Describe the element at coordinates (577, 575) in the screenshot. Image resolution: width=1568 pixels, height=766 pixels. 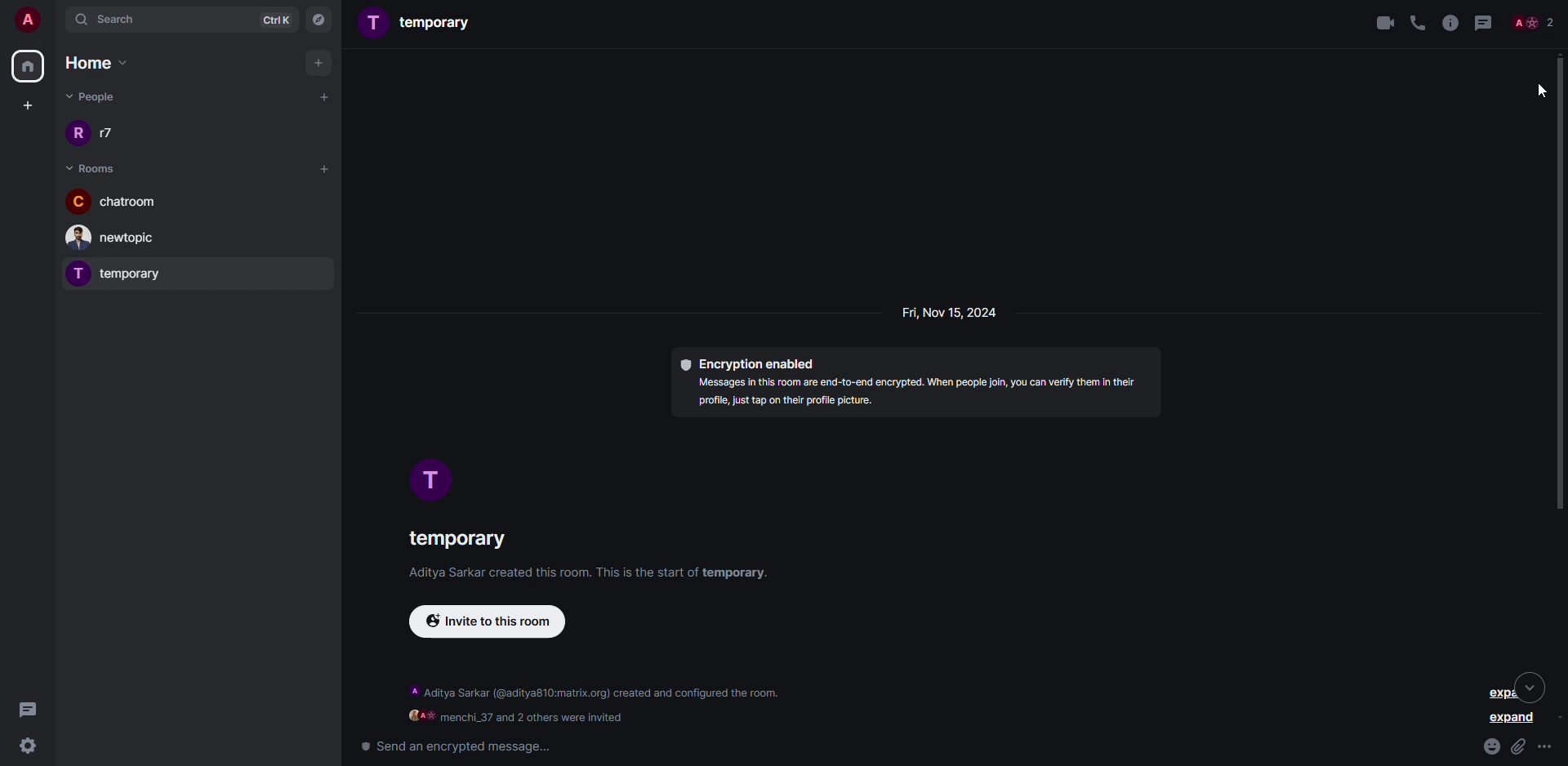
I see `Aditya sarkar created this room. this is the start of temporary.` at that location.